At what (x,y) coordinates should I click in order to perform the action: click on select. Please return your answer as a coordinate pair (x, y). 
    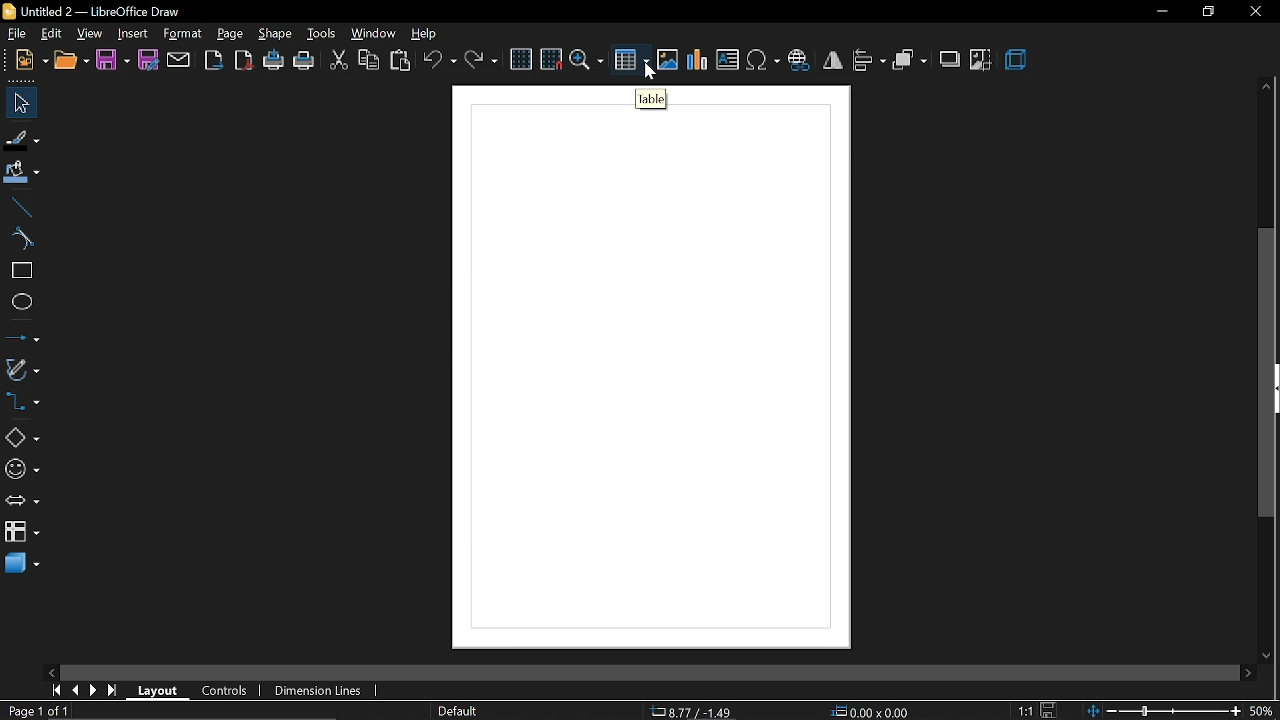
    Looking at the image, I should click on (18, 104).